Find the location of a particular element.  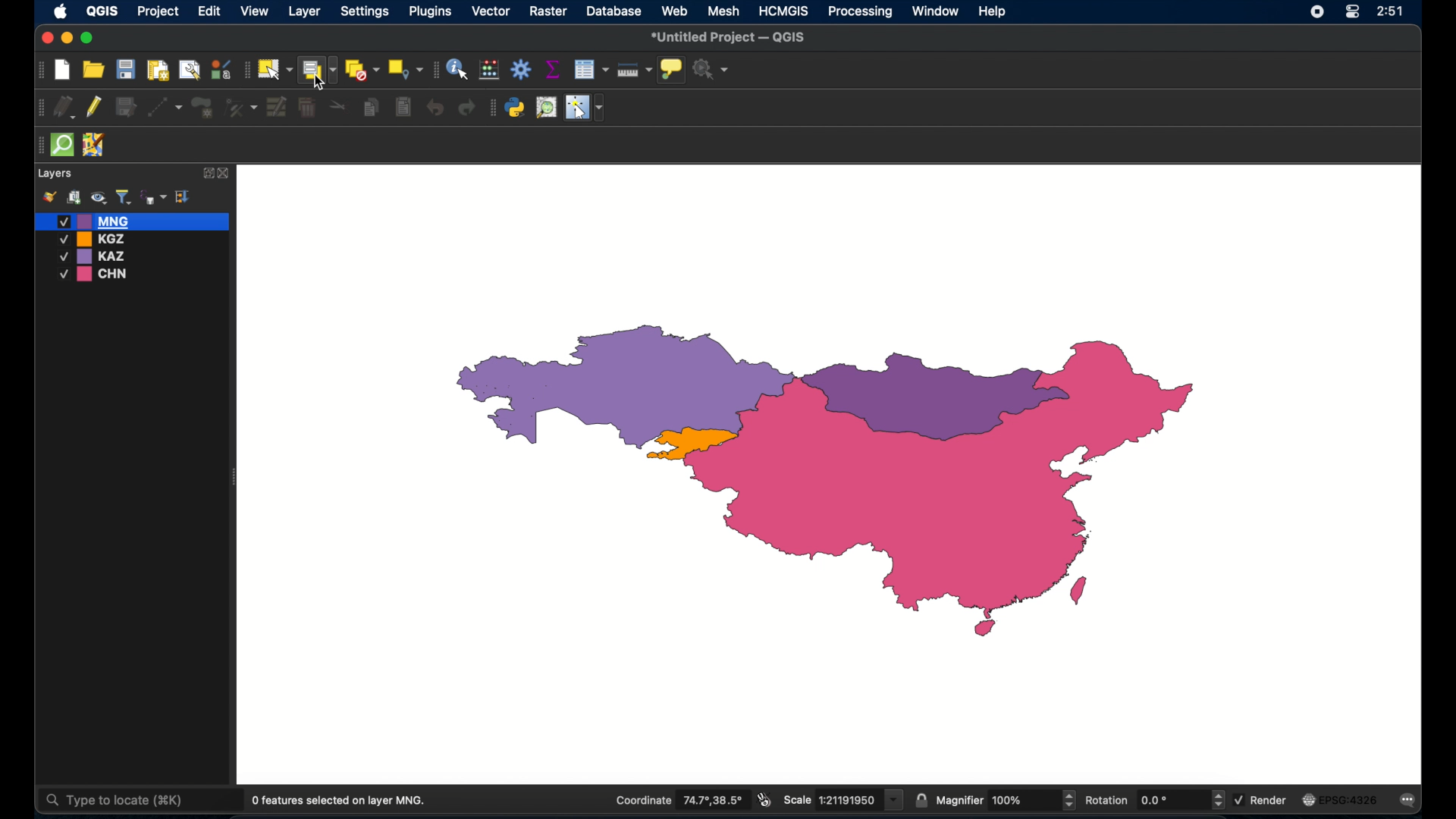

plugins is located at coordinates (431, 11).